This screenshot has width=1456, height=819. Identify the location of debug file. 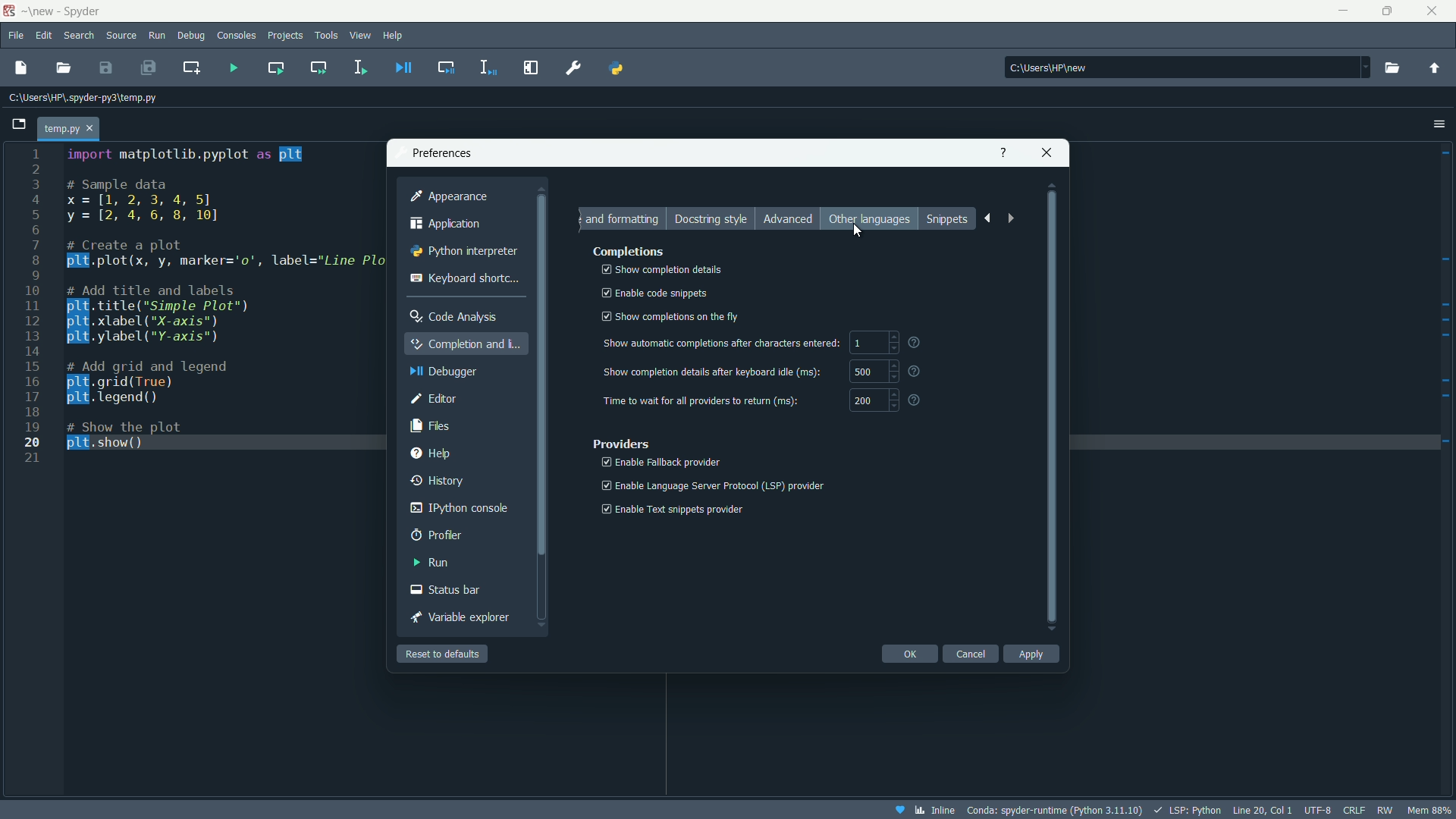
(404, 67).